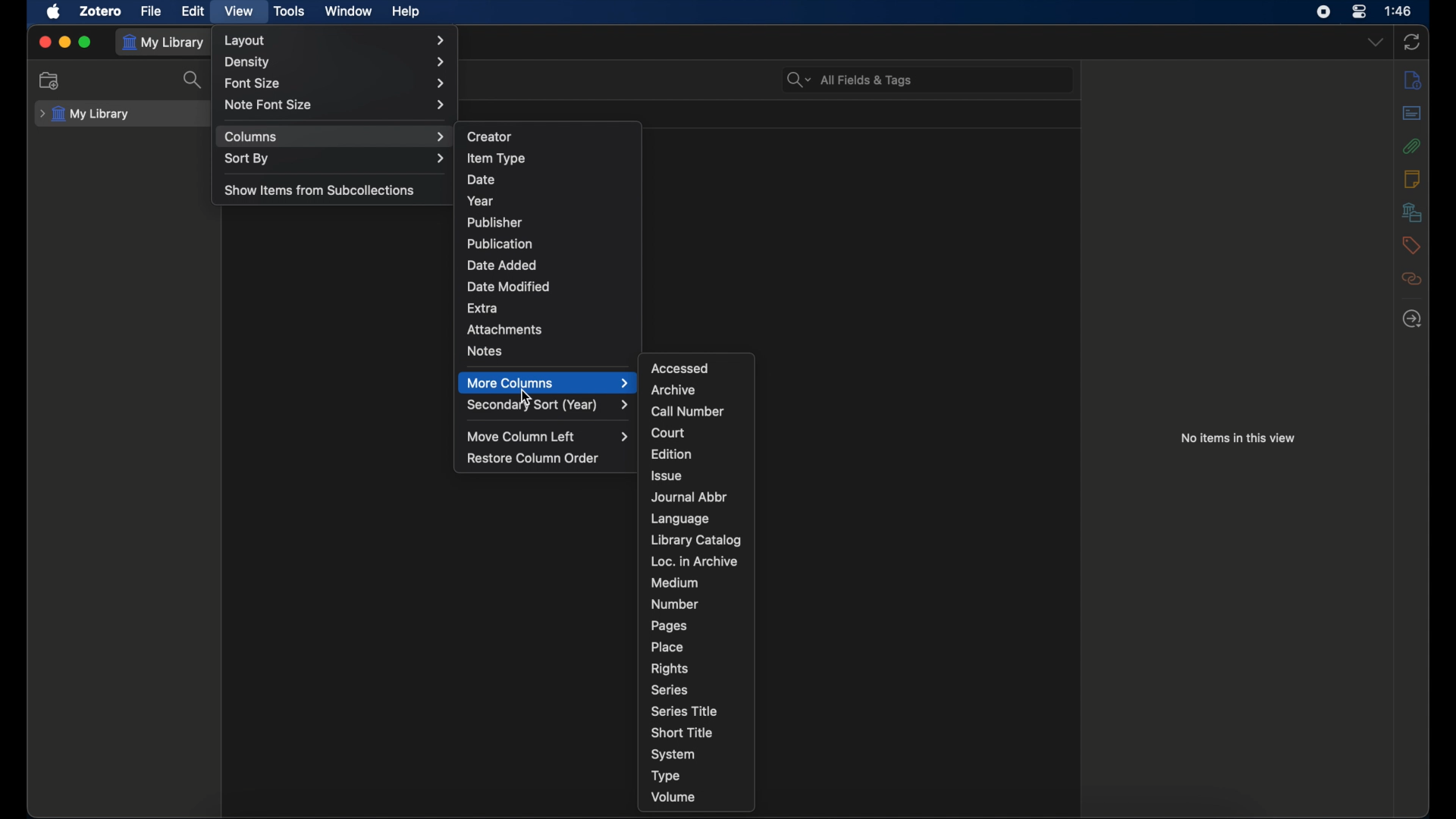  What do you see at coordinates (1412, 80) in the screenshot?
I see `info` at bounding box center [1412, 80].